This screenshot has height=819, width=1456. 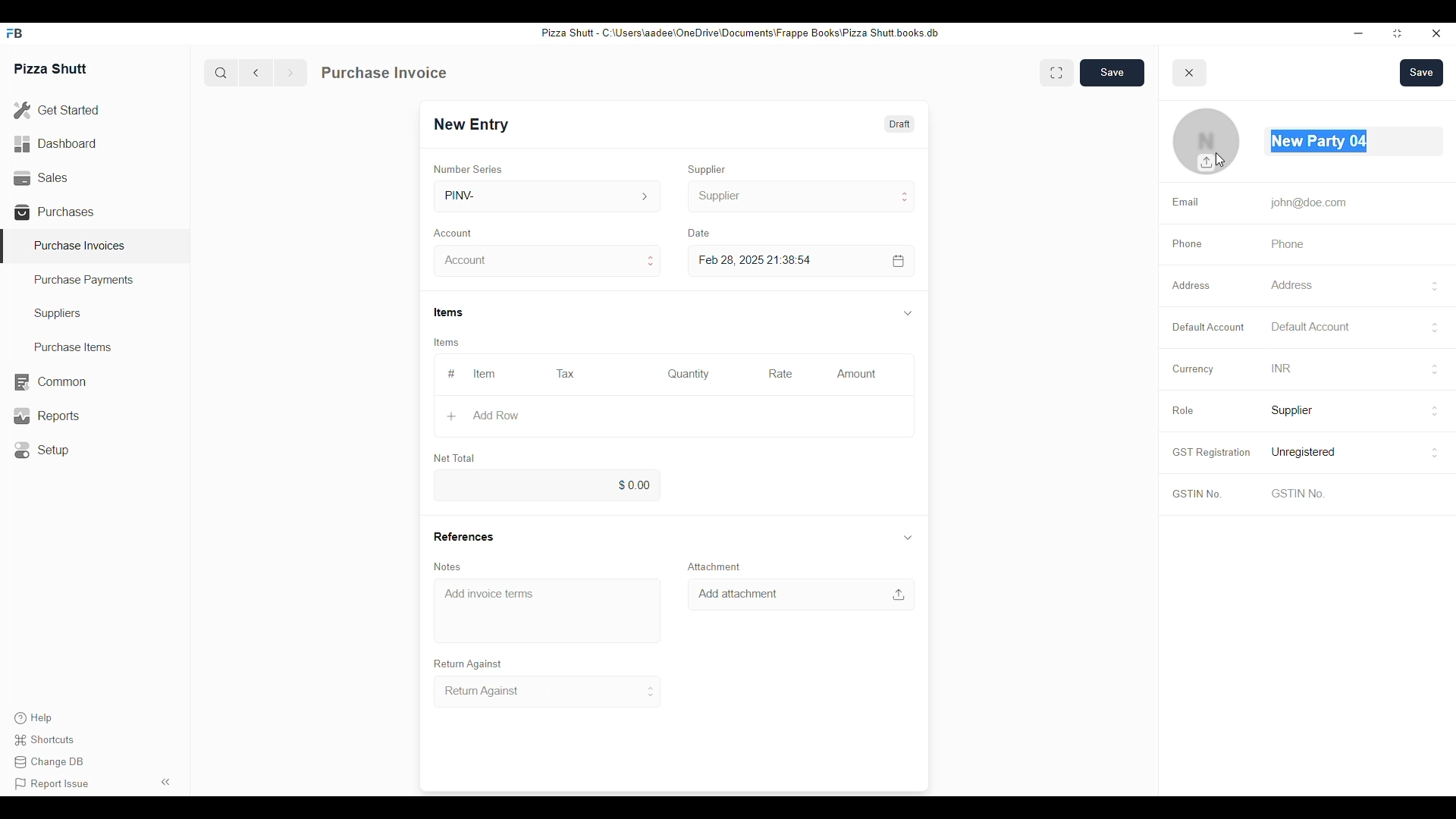 What do you see at coordinates (739, 32) in the screenshot?
I see `Pizza Shut - C:\Users\aadee\OneDrive\Documents\Frappe Books\Pizza Shutt books. db` at bounding box center [739, 32].